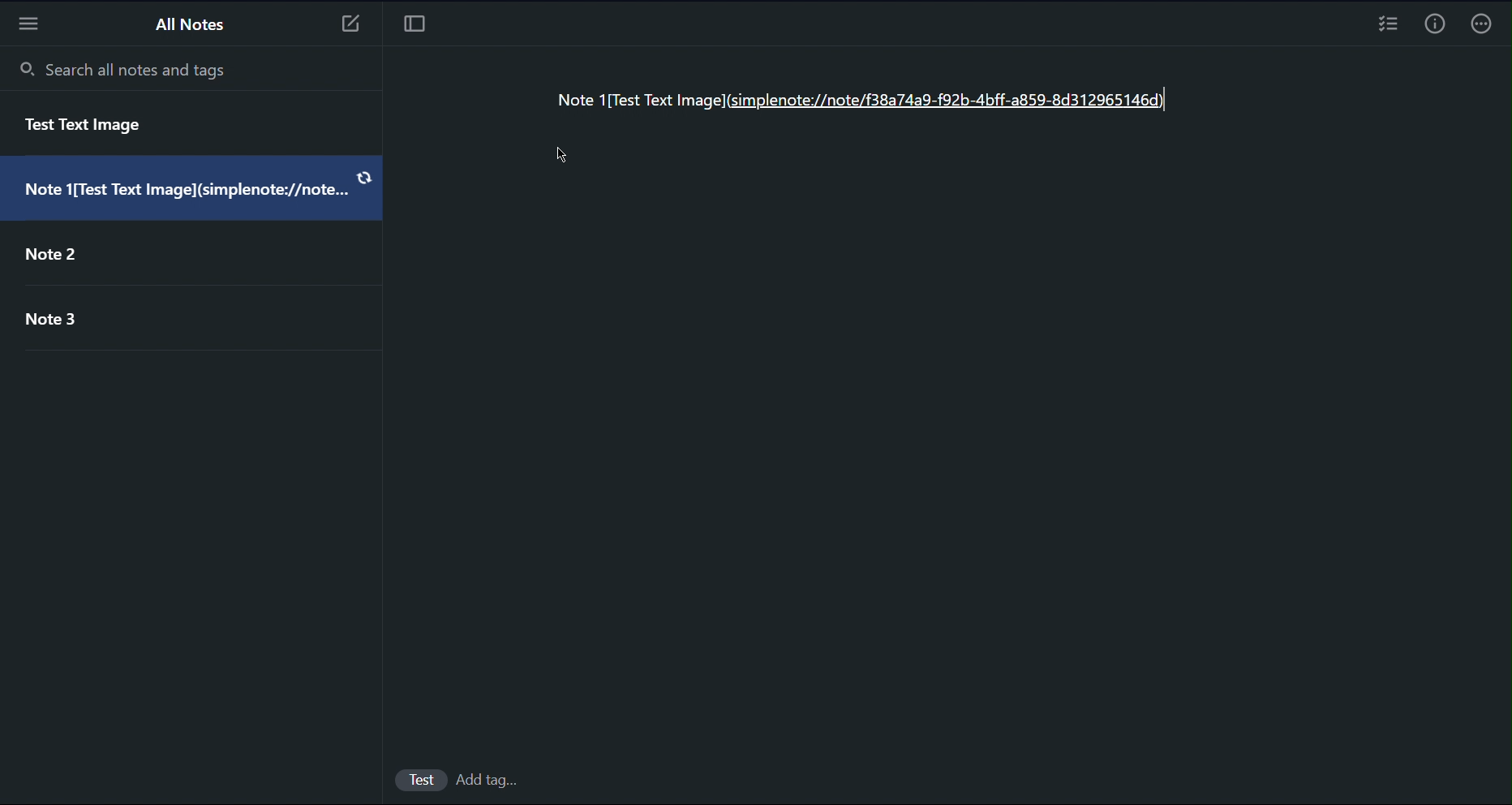 The width and height of the screenshot is (1512, 805). I want to click on Cursor, so click(562, 155).